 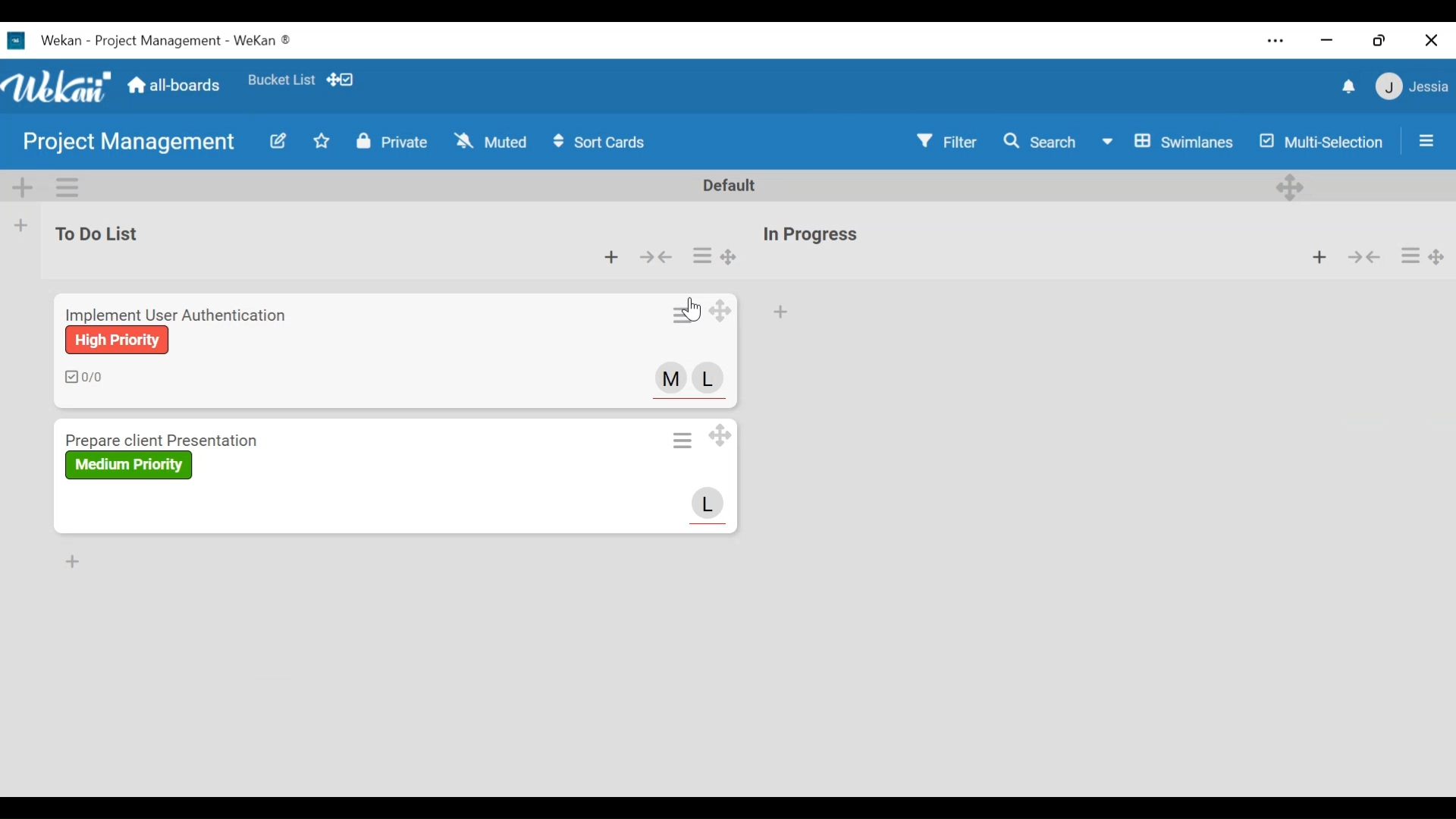 What do you see at coordinates (1275, 42) in the screenshot?
I see `Settings and more` at bounding box center [1275, 42].